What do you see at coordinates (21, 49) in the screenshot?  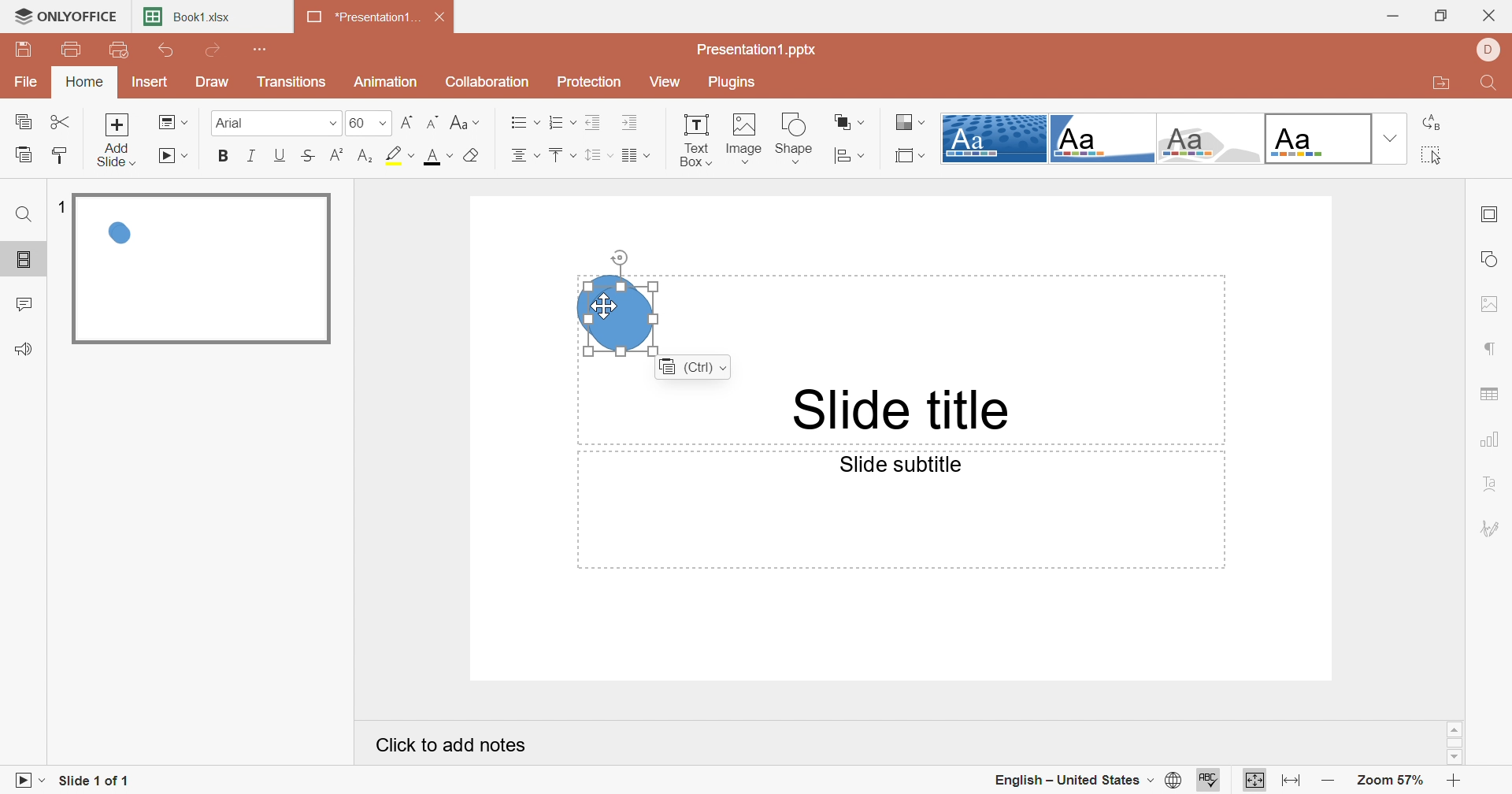 I see `Save` at bounding box center [21, 49].